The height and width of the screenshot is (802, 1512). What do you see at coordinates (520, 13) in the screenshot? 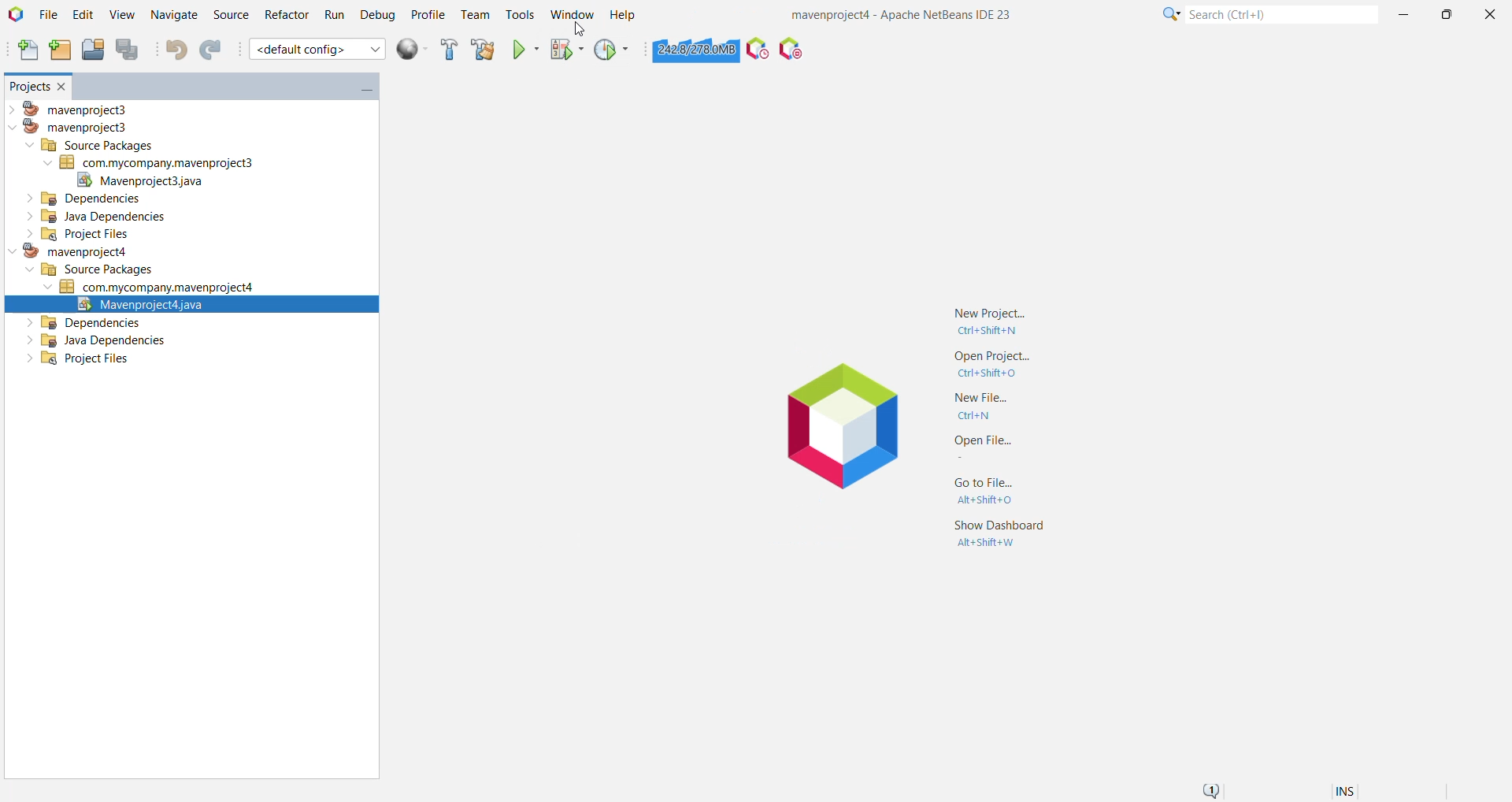
I see `Tools` at bounding box center [520, 13].